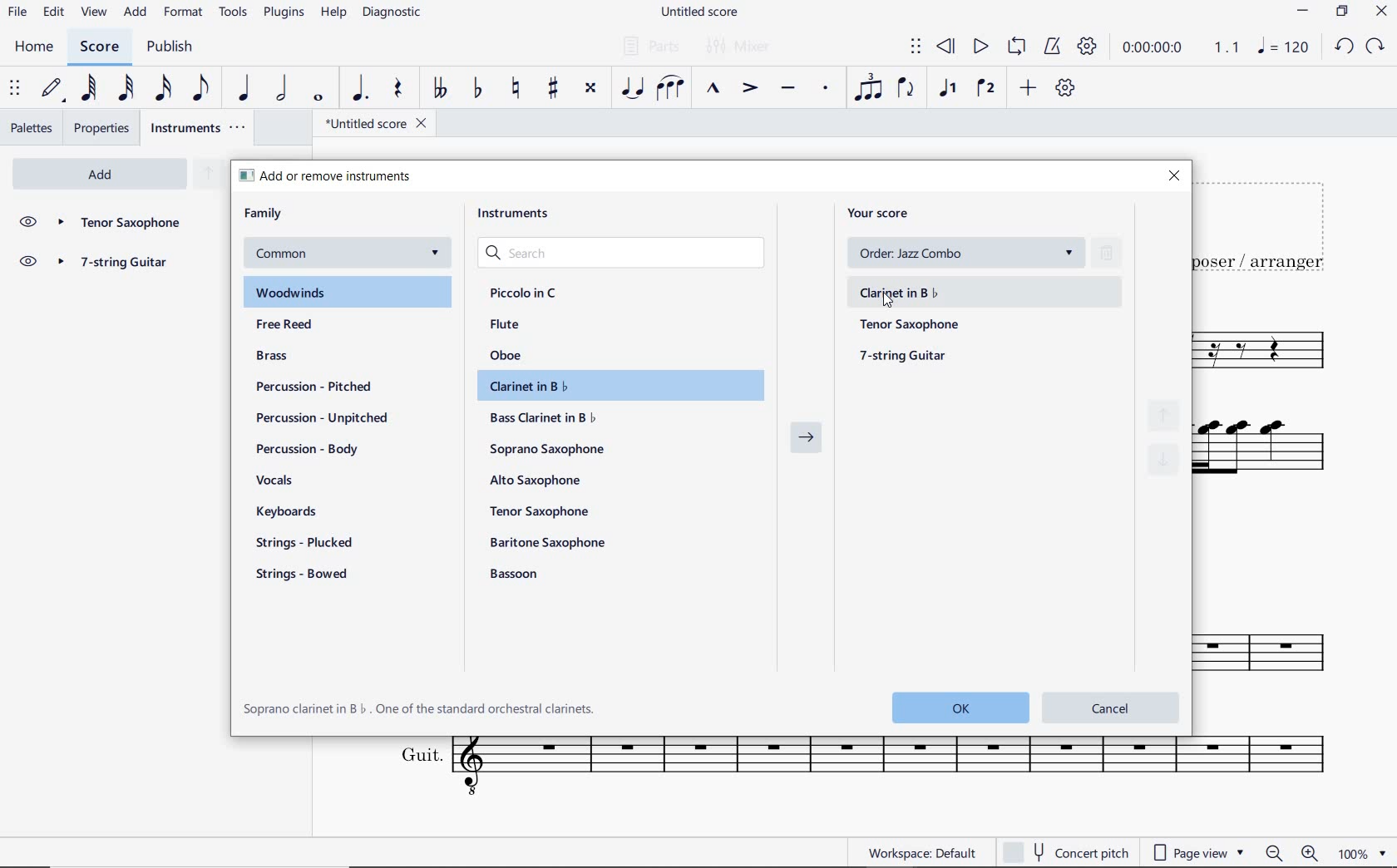 This screenshot has height=868, width=1397. What do you see at coordinates (547, 542) in the screenshot?
I see `baritone saxophone` at bounding box center [547, 542].